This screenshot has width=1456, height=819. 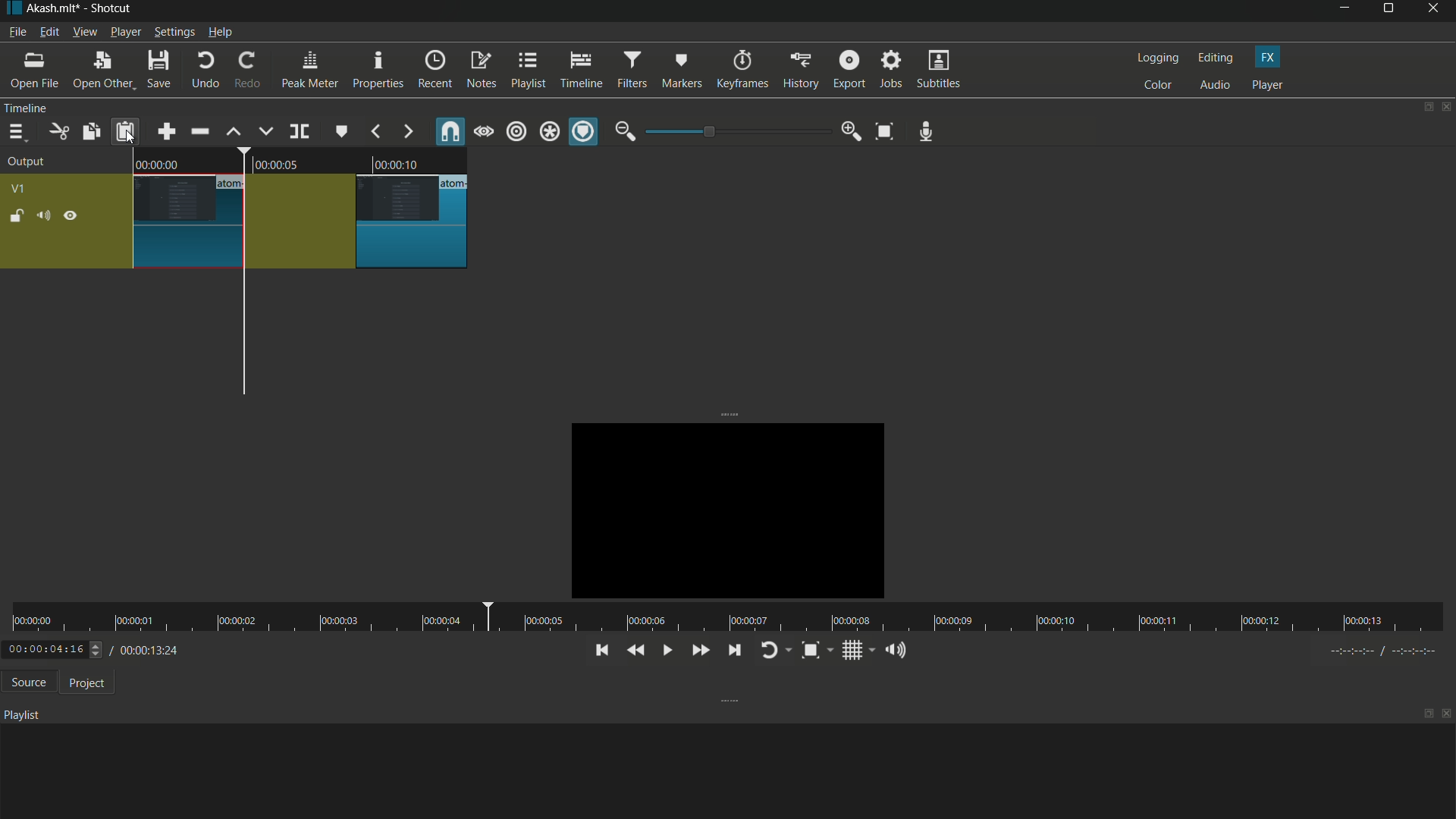 What do you see at coordinates (736, 132) in the screenshot?
I see `adjustment bar` at bounding box center [736, 132].